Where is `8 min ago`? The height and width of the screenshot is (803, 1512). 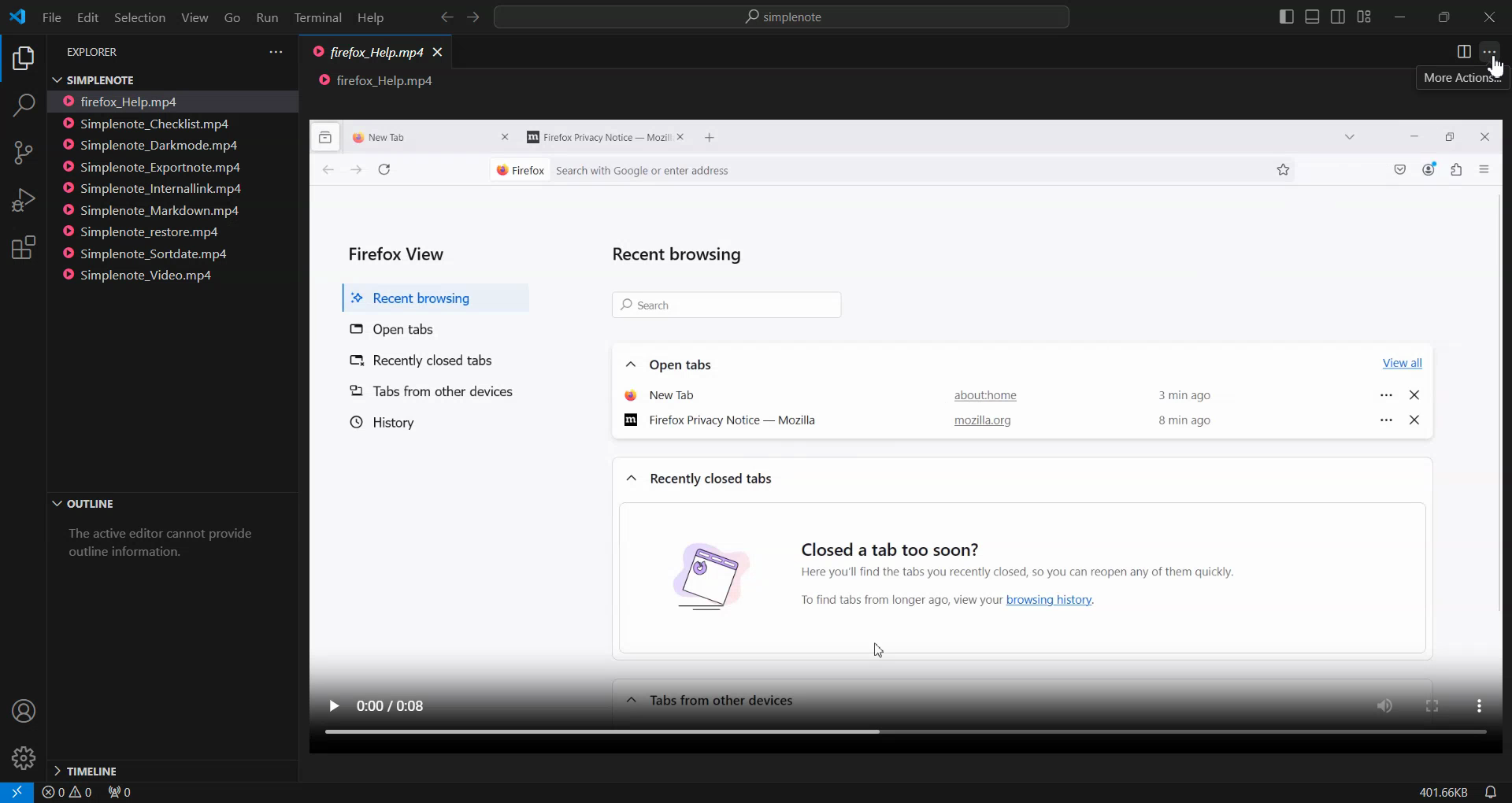
8 min ago is located at coordinates (1186, 421).